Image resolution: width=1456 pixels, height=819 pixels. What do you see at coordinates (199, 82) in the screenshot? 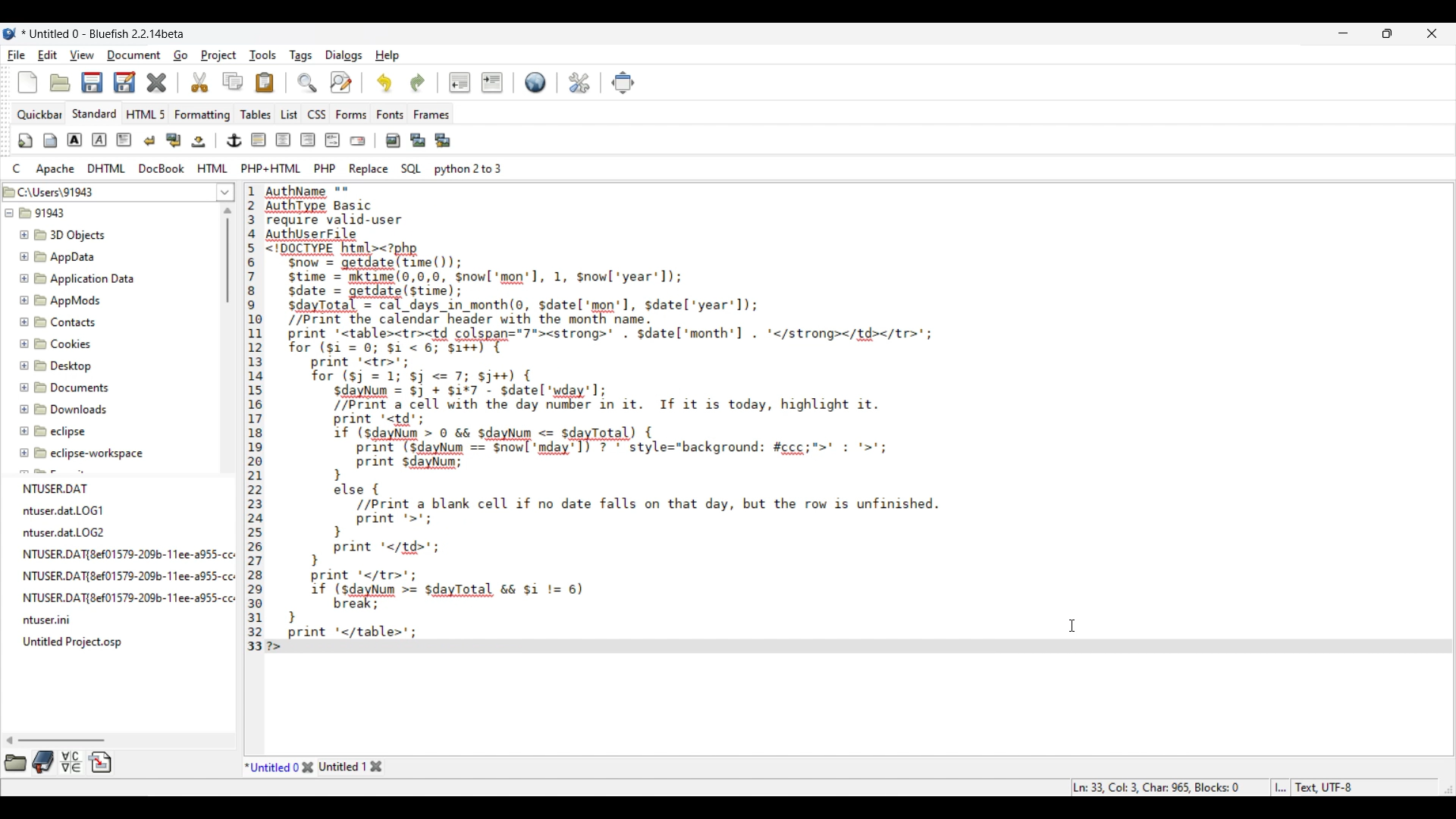
I see `Cut` at bounding box center [199, 82].